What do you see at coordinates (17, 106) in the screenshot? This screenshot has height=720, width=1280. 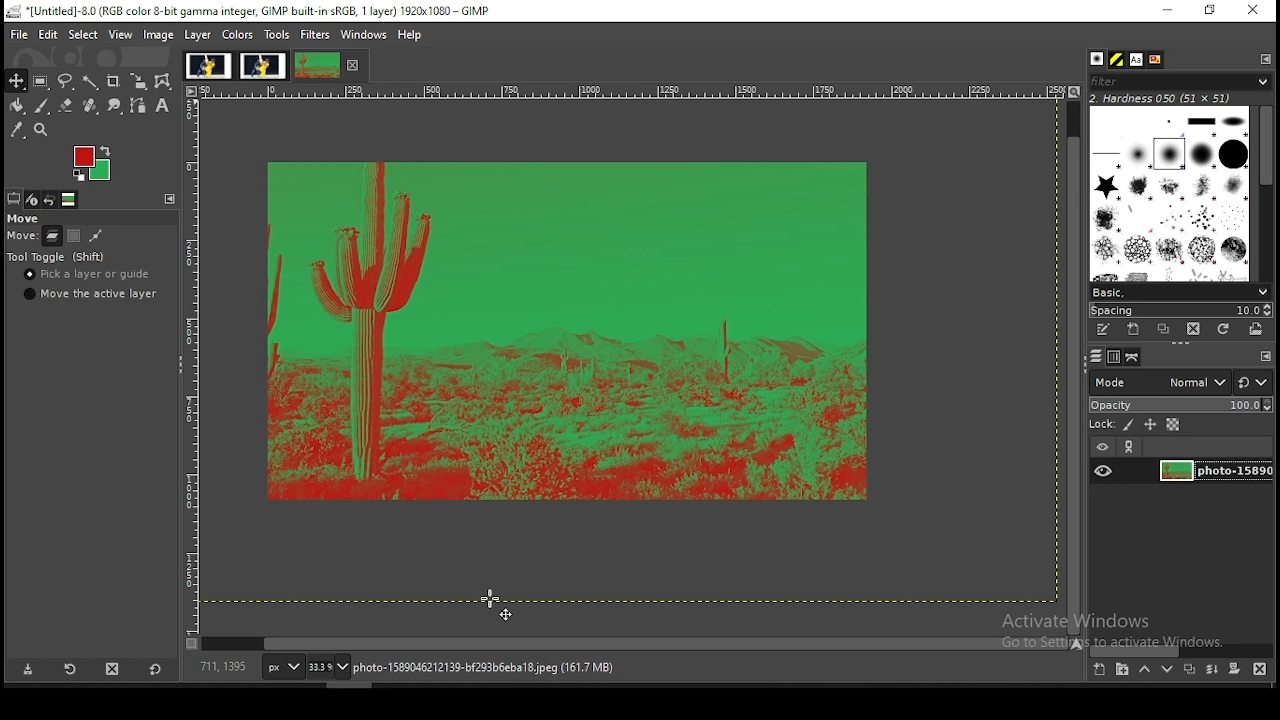 I see `paint bucket tool` at bounding box center [17, 106].